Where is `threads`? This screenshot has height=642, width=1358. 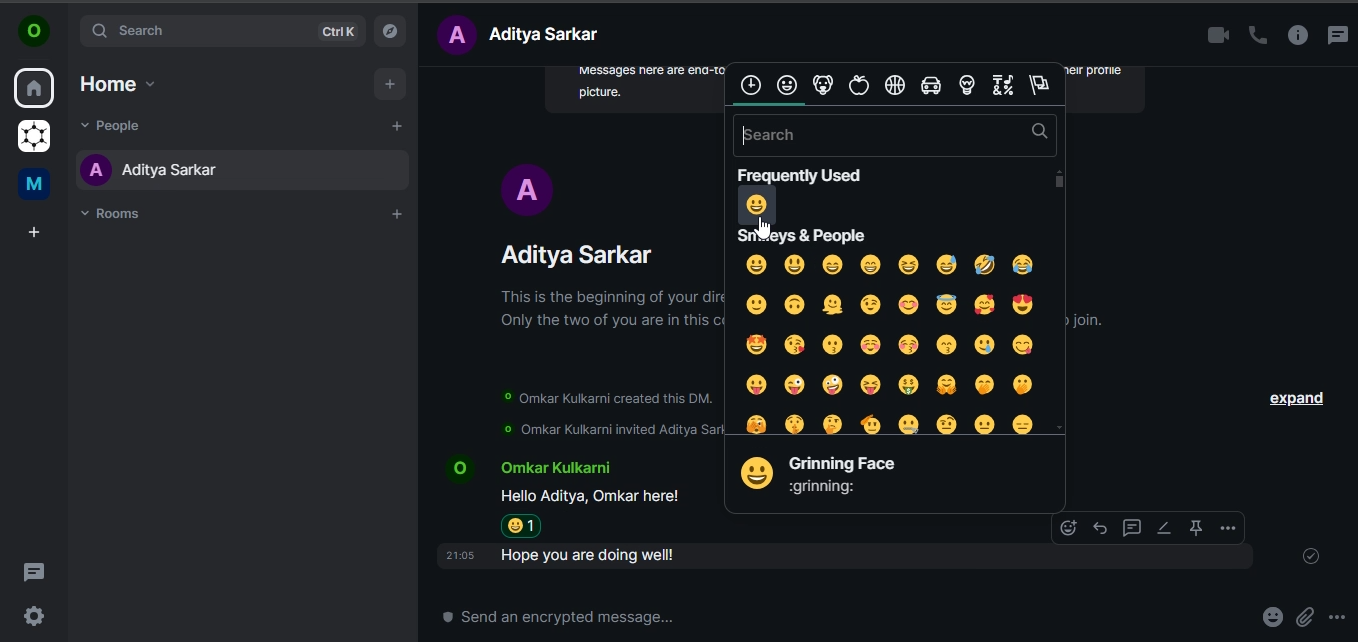 threads is located at coordinates (1338, 33).